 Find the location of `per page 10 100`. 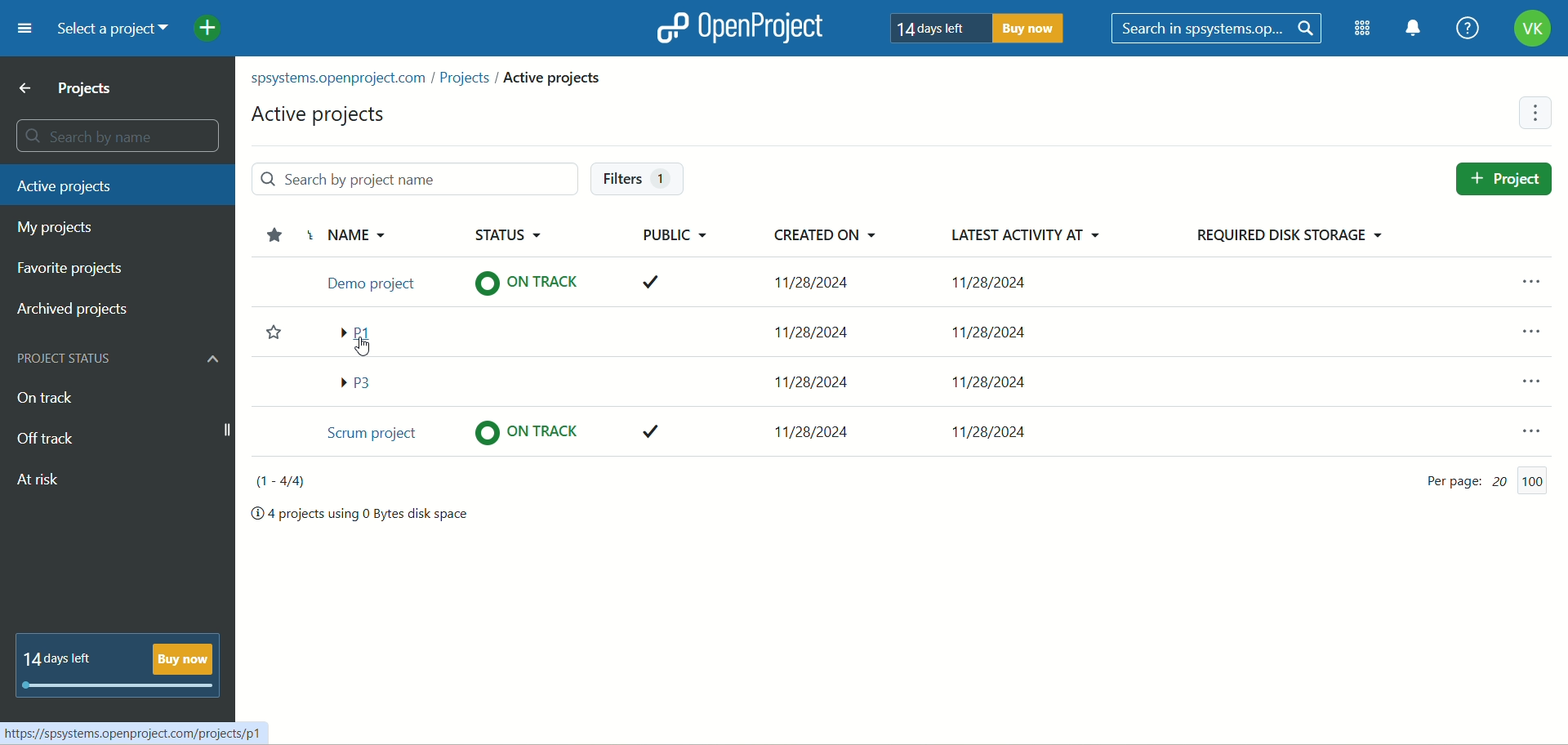

per page 10 100 is located at coordinates (1471, 480).